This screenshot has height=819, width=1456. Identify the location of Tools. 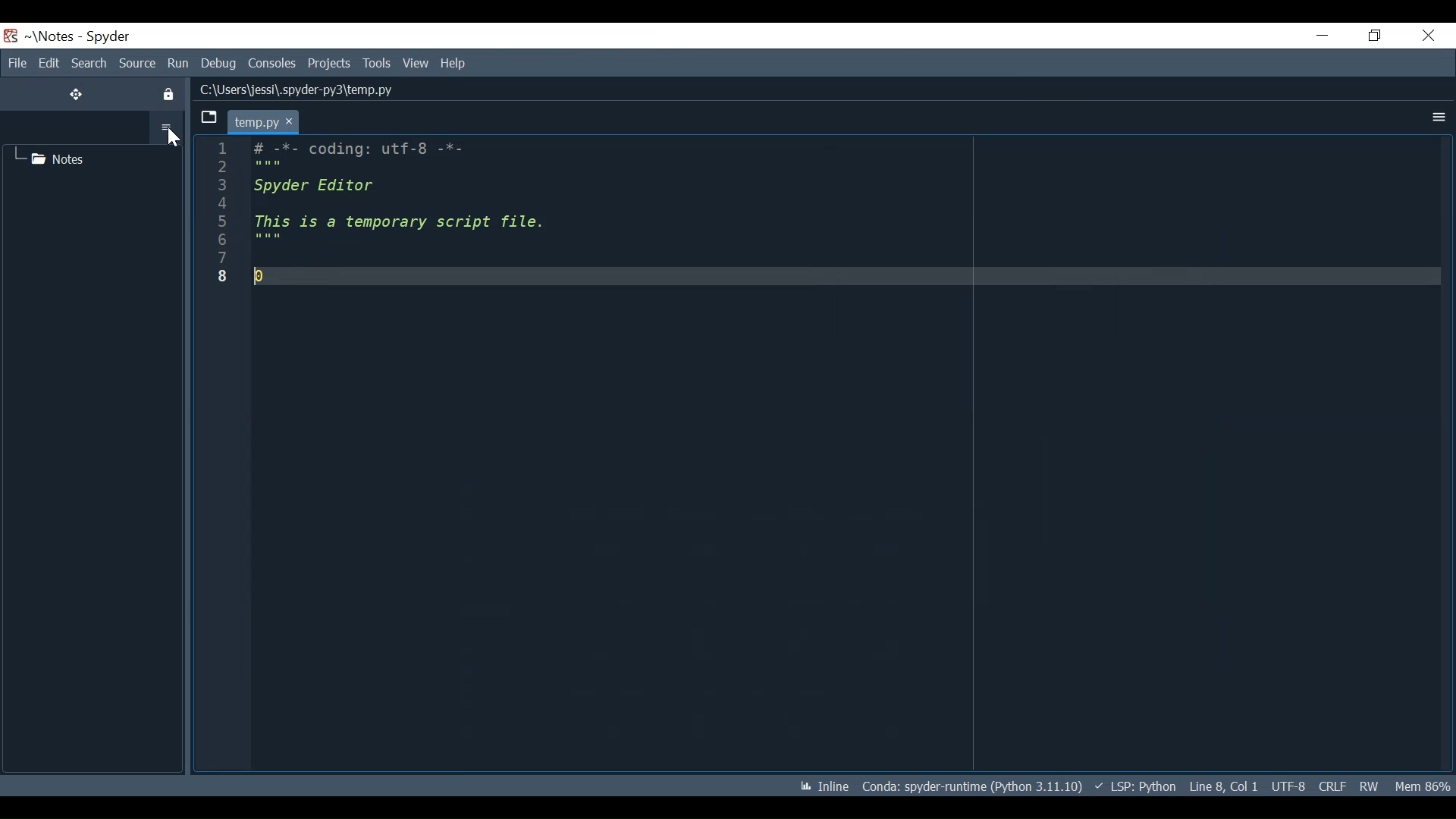
(377, 64).